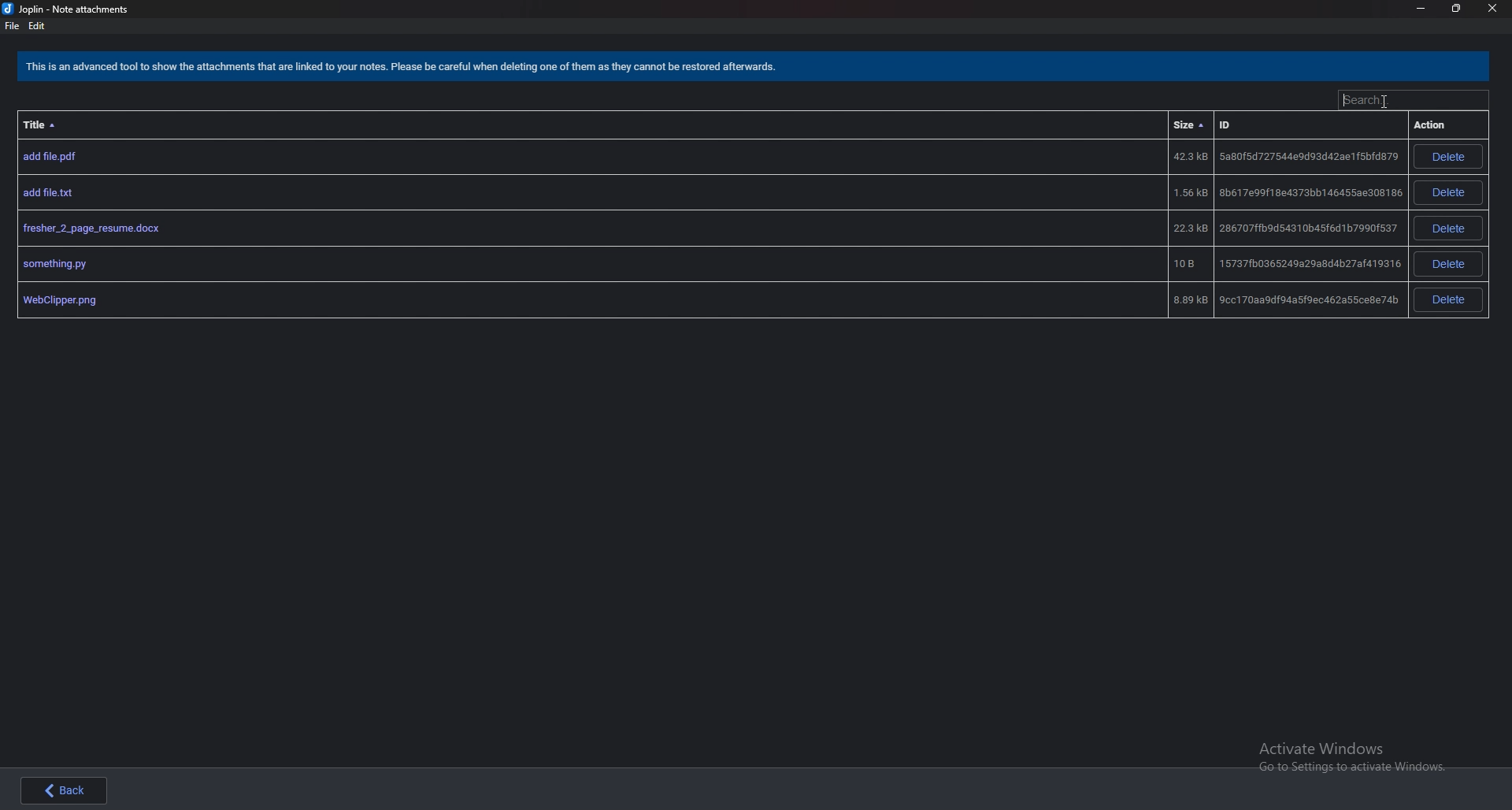 The image size is (1512, 810). I want to click on Edit, so click(37, 26).